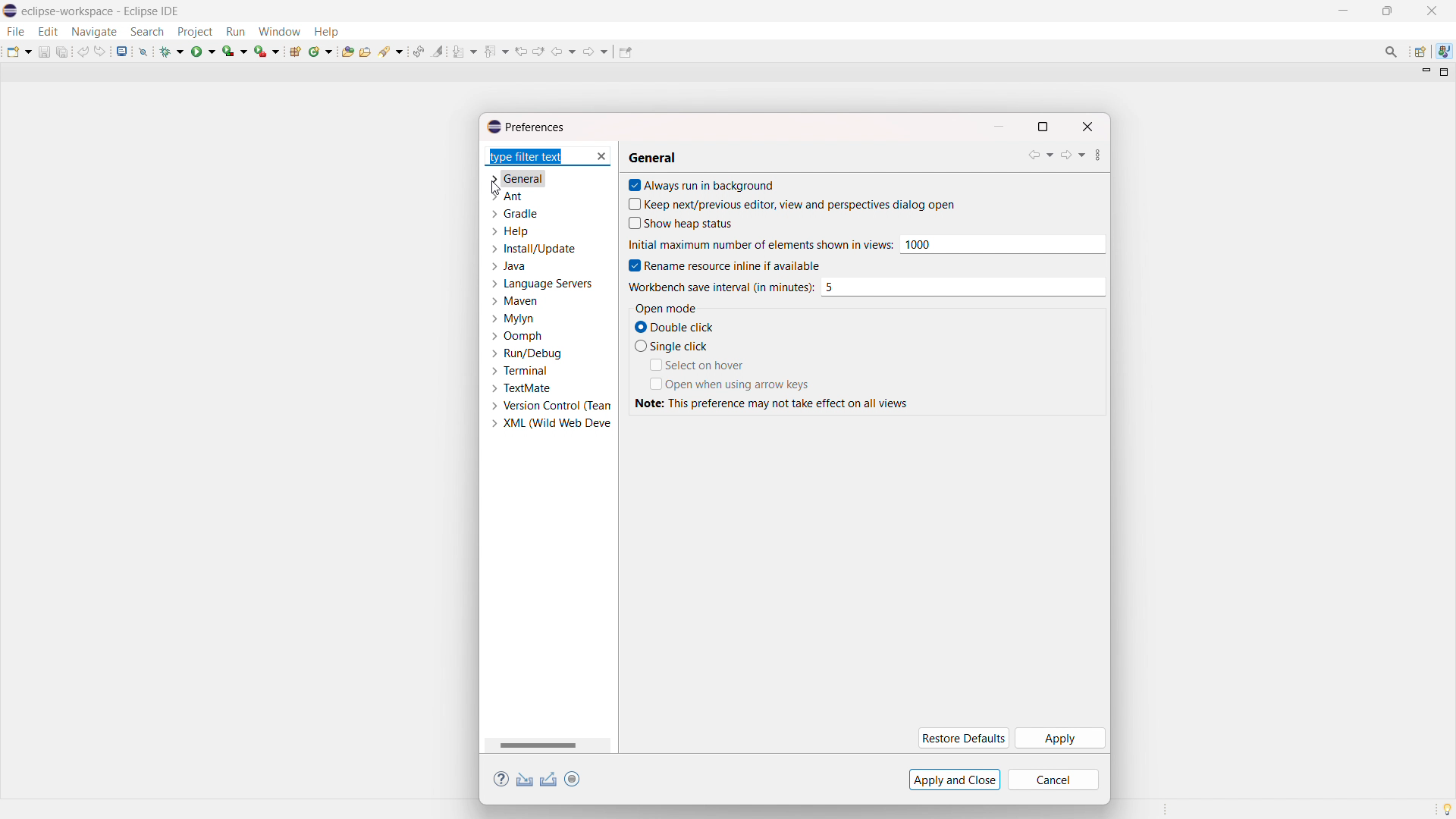 This screenshot has width=1456, height=819. What do you see at coordinates (501, 780) in the screenshot?
I see `help` at bounding box center [501, 780].